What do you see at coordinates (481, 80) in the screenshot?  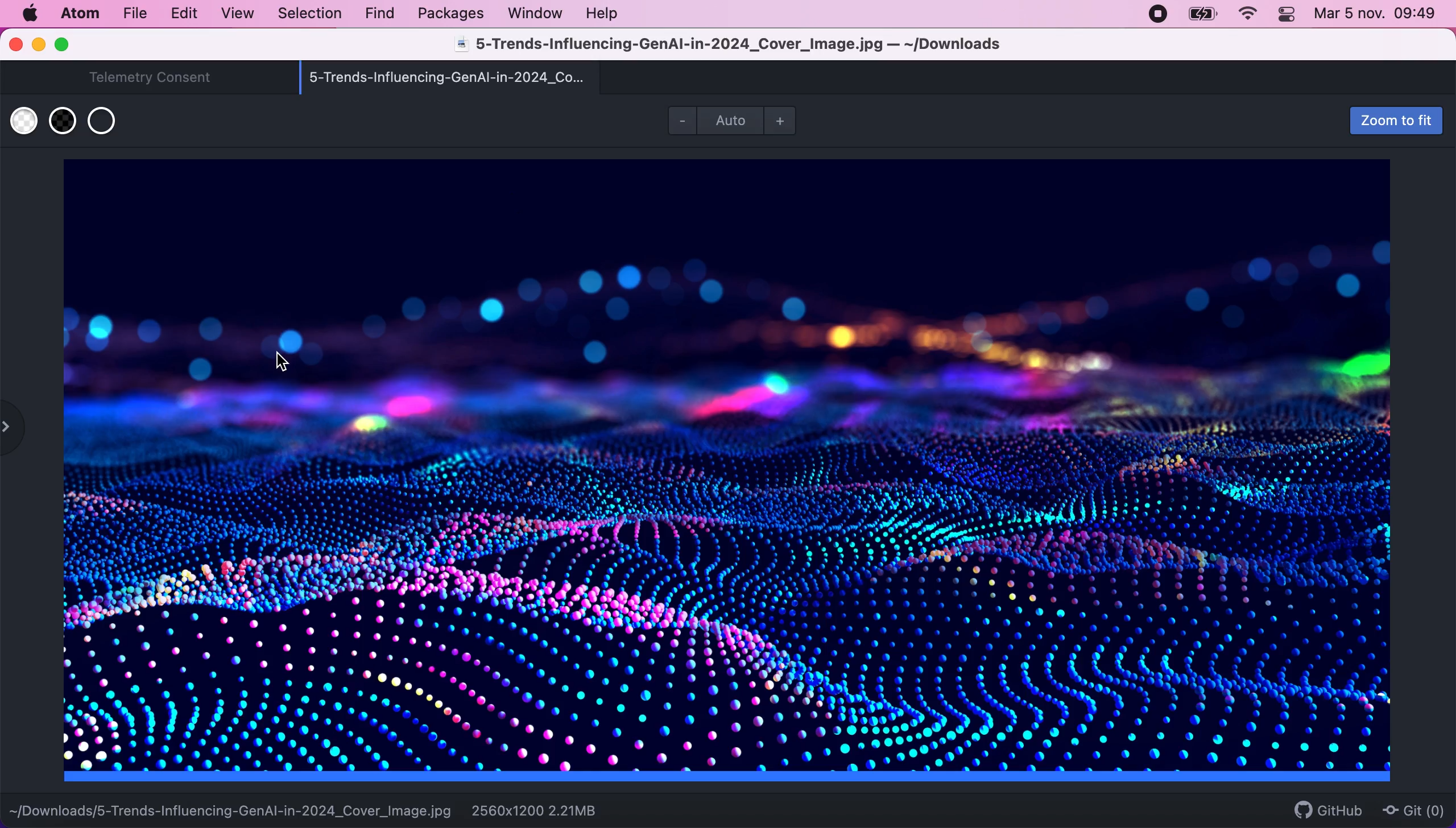 I see `5-trends-influencing-genai-in-2024_co...` at bounding box center [481, 80].